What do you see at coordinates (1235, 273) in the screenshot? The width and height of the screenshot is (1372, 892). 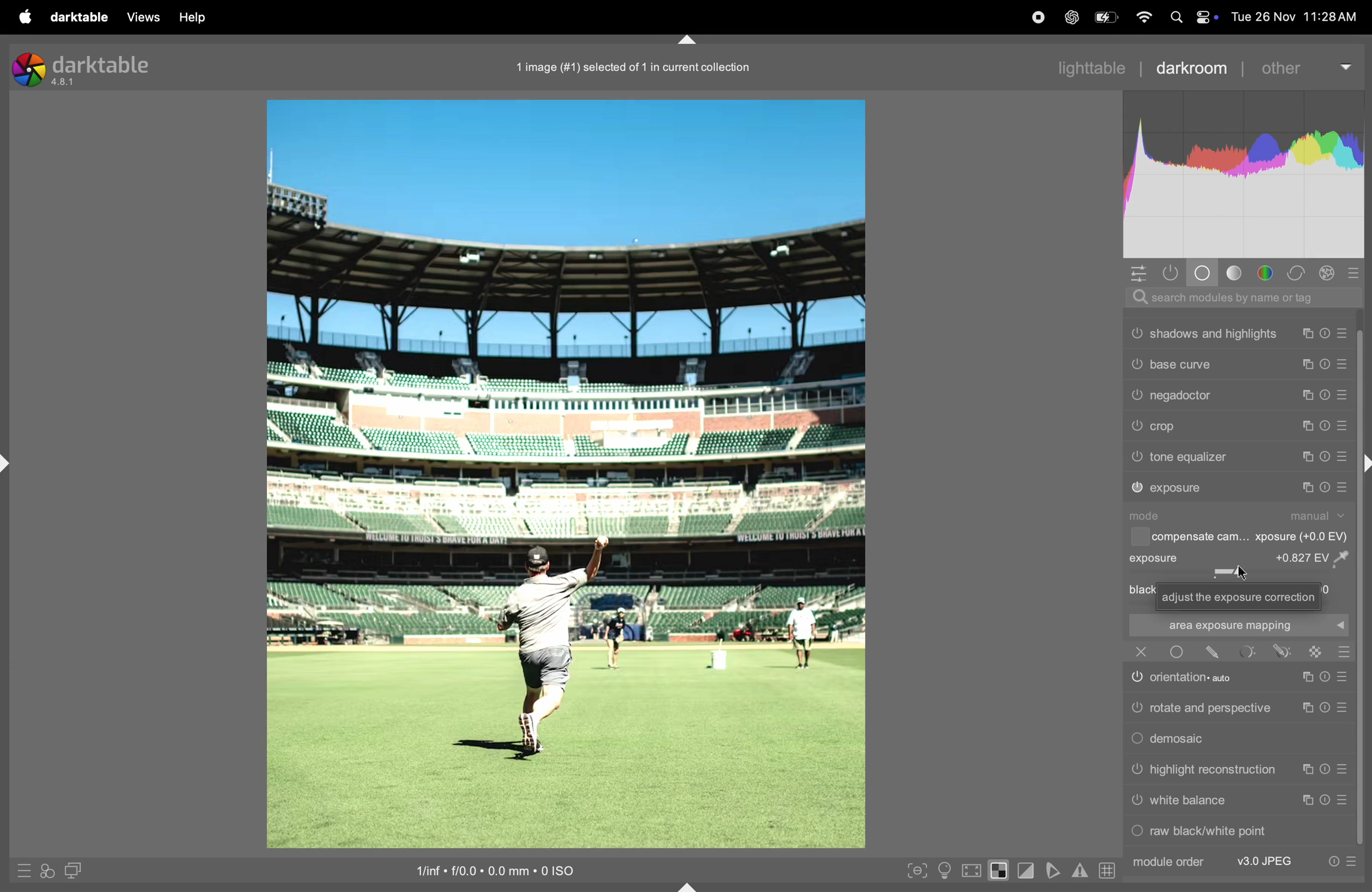 I see `tone` at bounding box center [1235, 273].